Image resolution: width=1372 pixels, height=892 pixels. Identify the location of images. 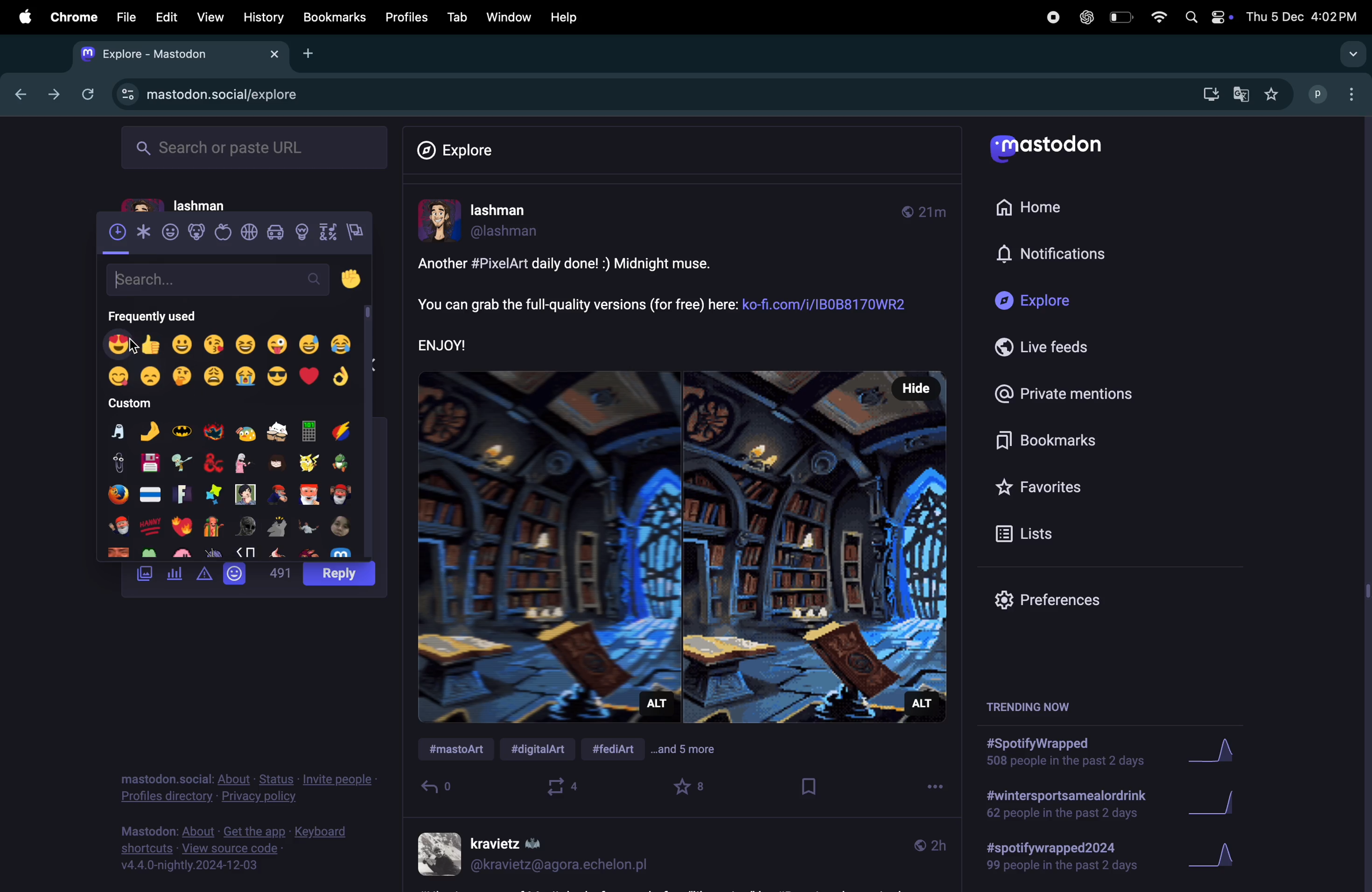
(141, 577).